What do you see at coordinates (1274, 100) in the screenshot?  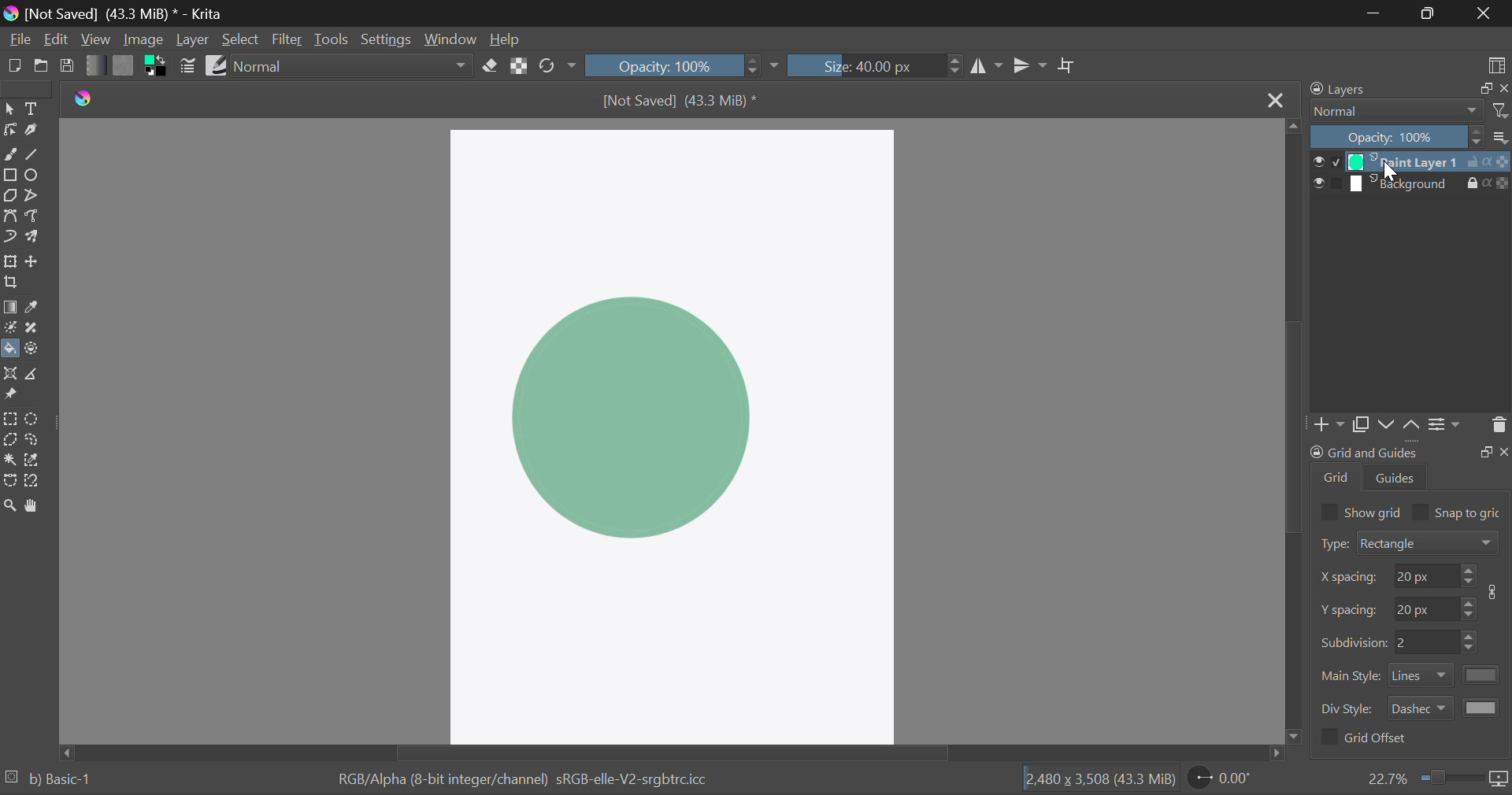 I see `Close` at bounding box center [1274, 100].